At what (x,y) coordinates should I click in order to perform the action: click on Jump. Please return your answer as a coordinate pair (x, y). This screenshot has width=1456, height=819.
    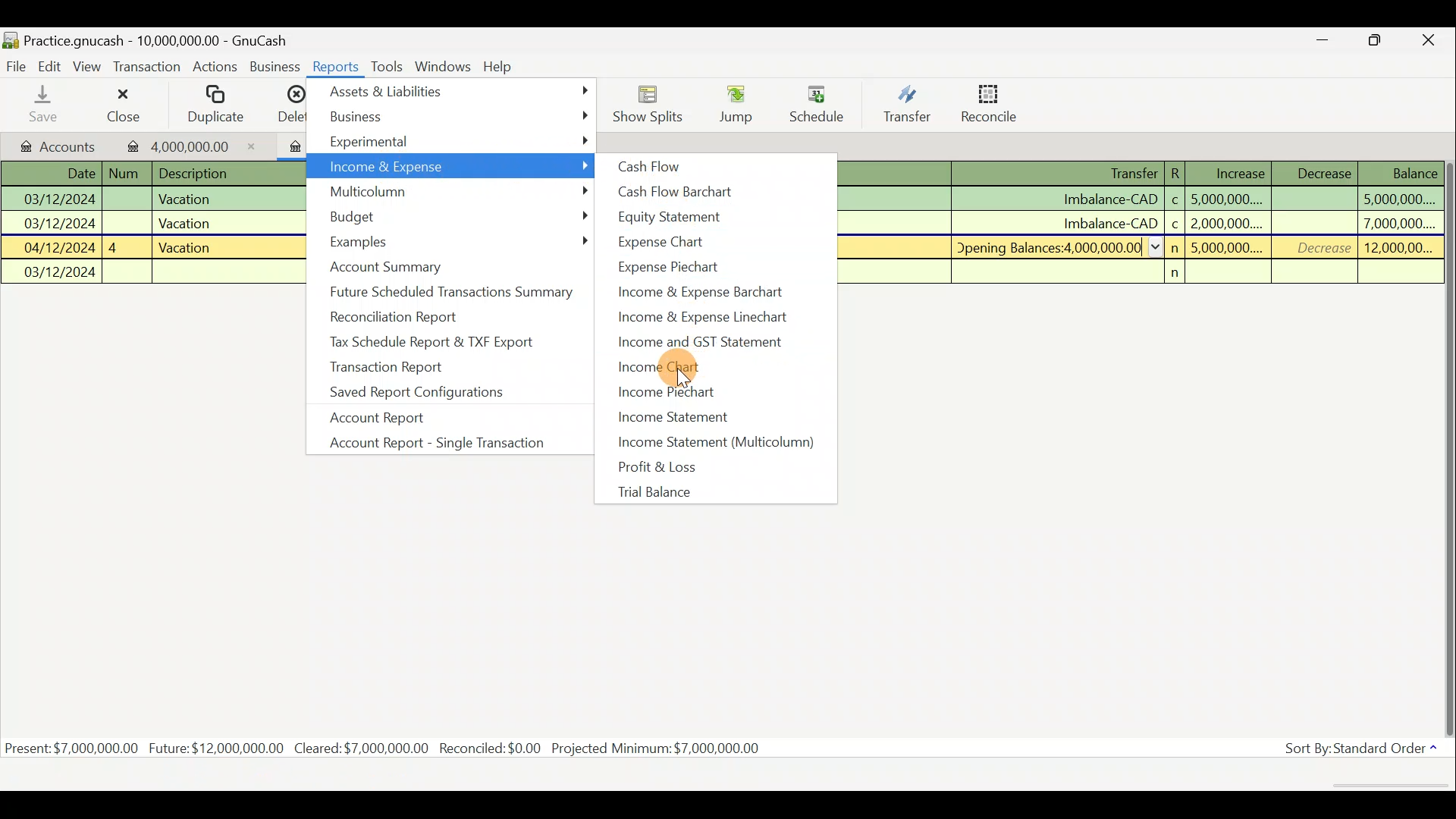
    Looking at the image, I should click on (736, 101).